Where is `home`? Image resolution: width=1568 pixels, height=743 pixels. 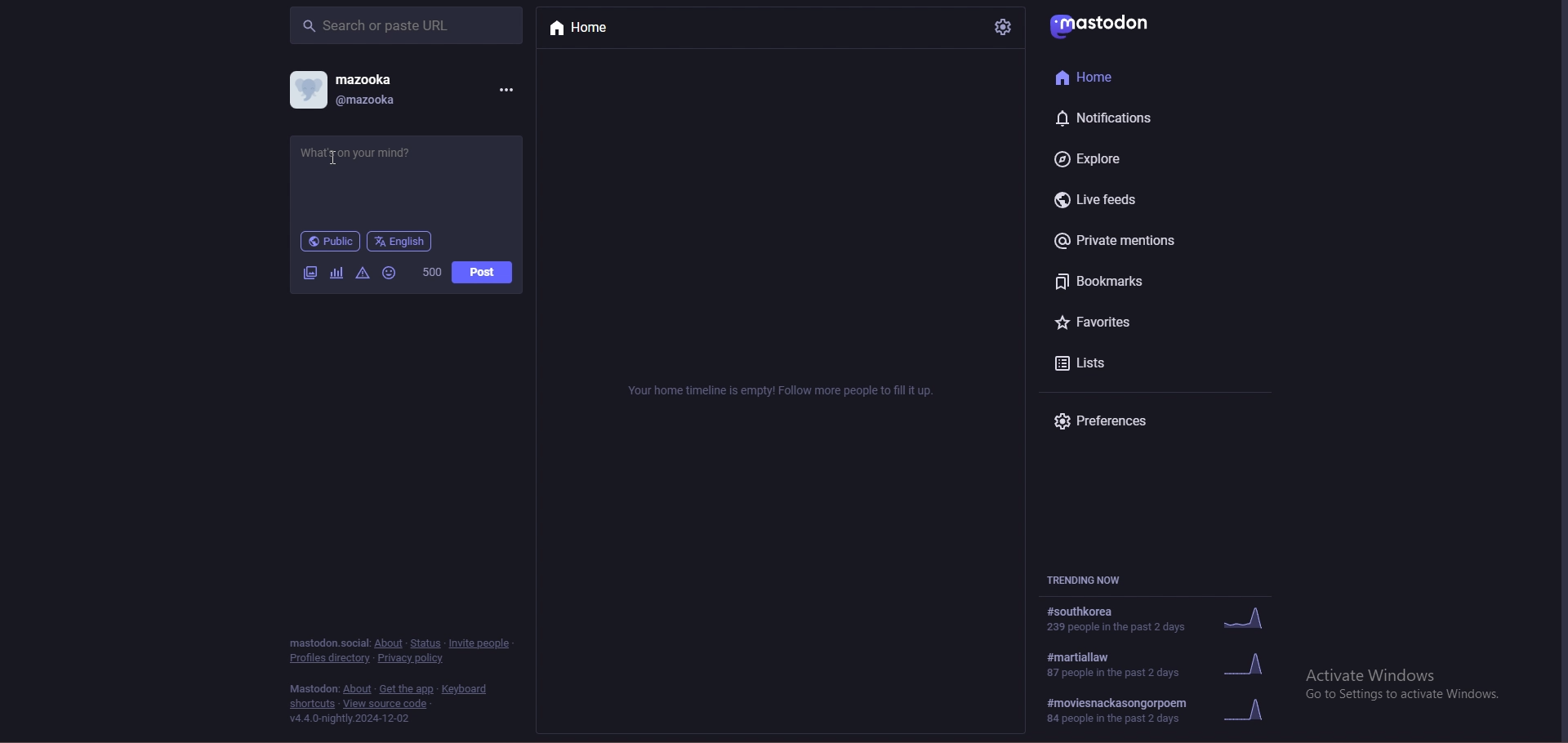 home is located at coordinates (595, 29).